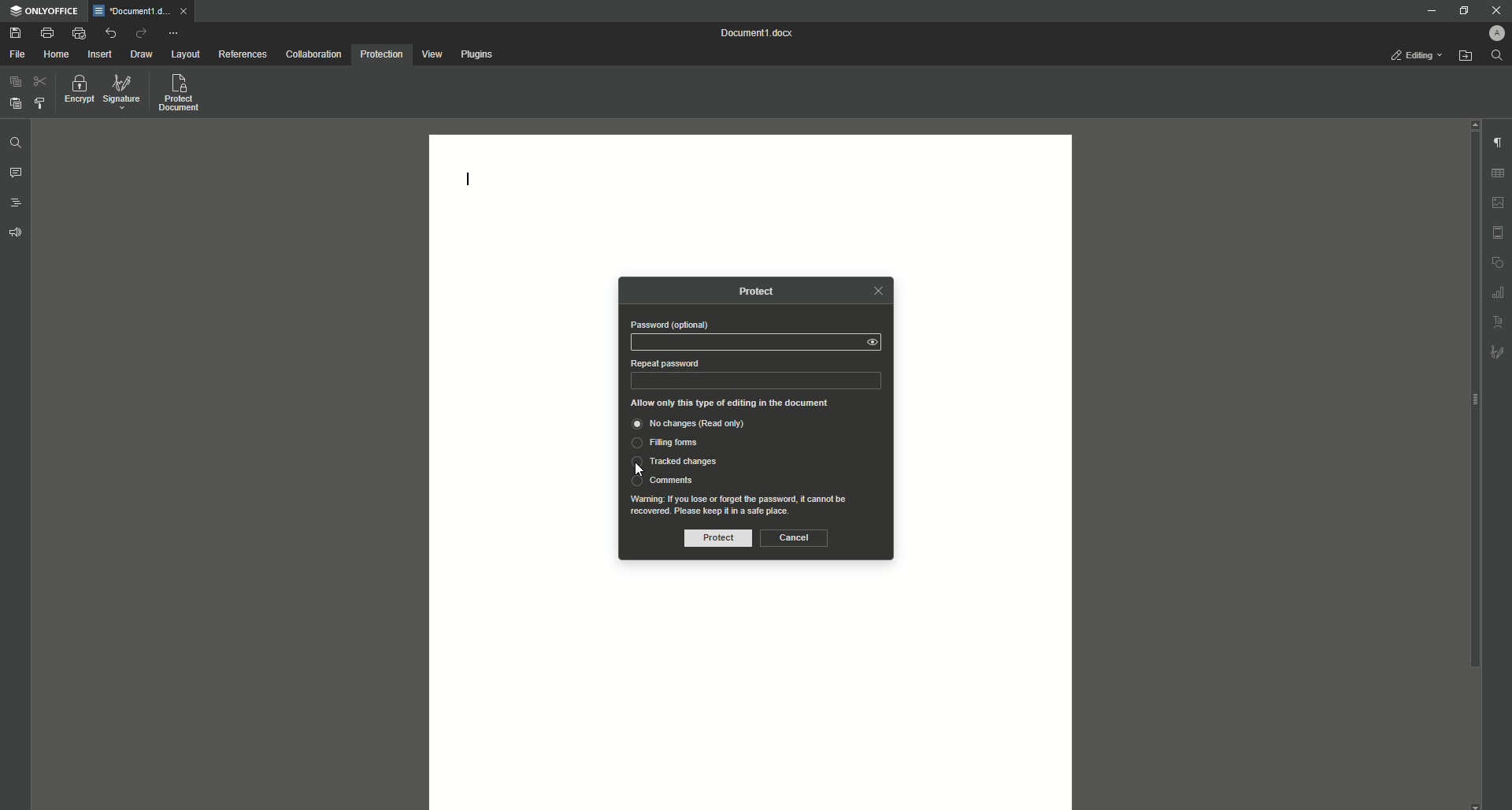 The height and width of the screenshot is (810, 1512). Describe the element at coordinates (381, 55) in the screenshot. I see `Protection` at that location.